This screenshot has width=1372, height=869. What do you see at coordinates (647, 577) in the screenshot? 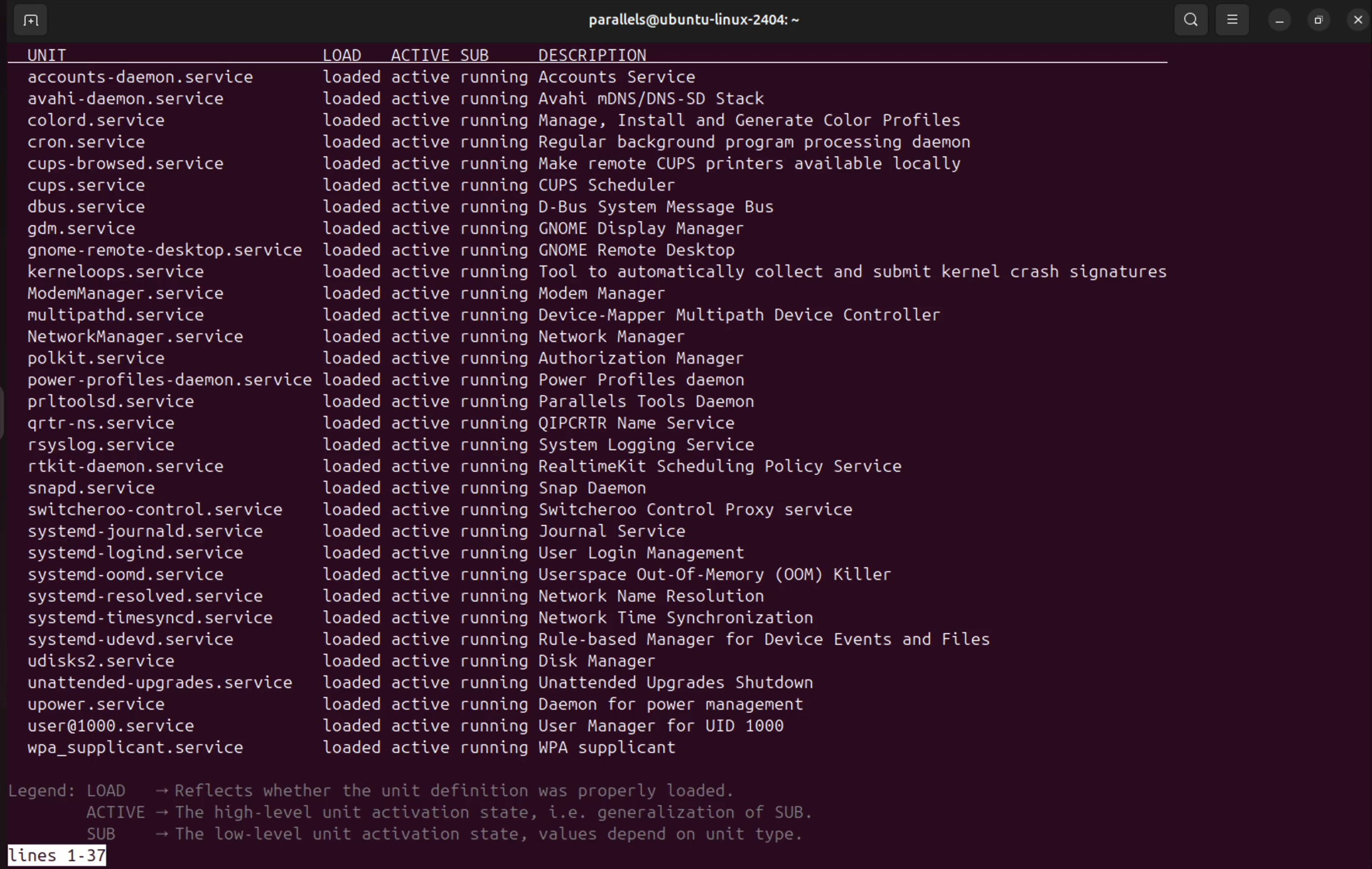
I see `active running ` at bounding box center [647, 577].